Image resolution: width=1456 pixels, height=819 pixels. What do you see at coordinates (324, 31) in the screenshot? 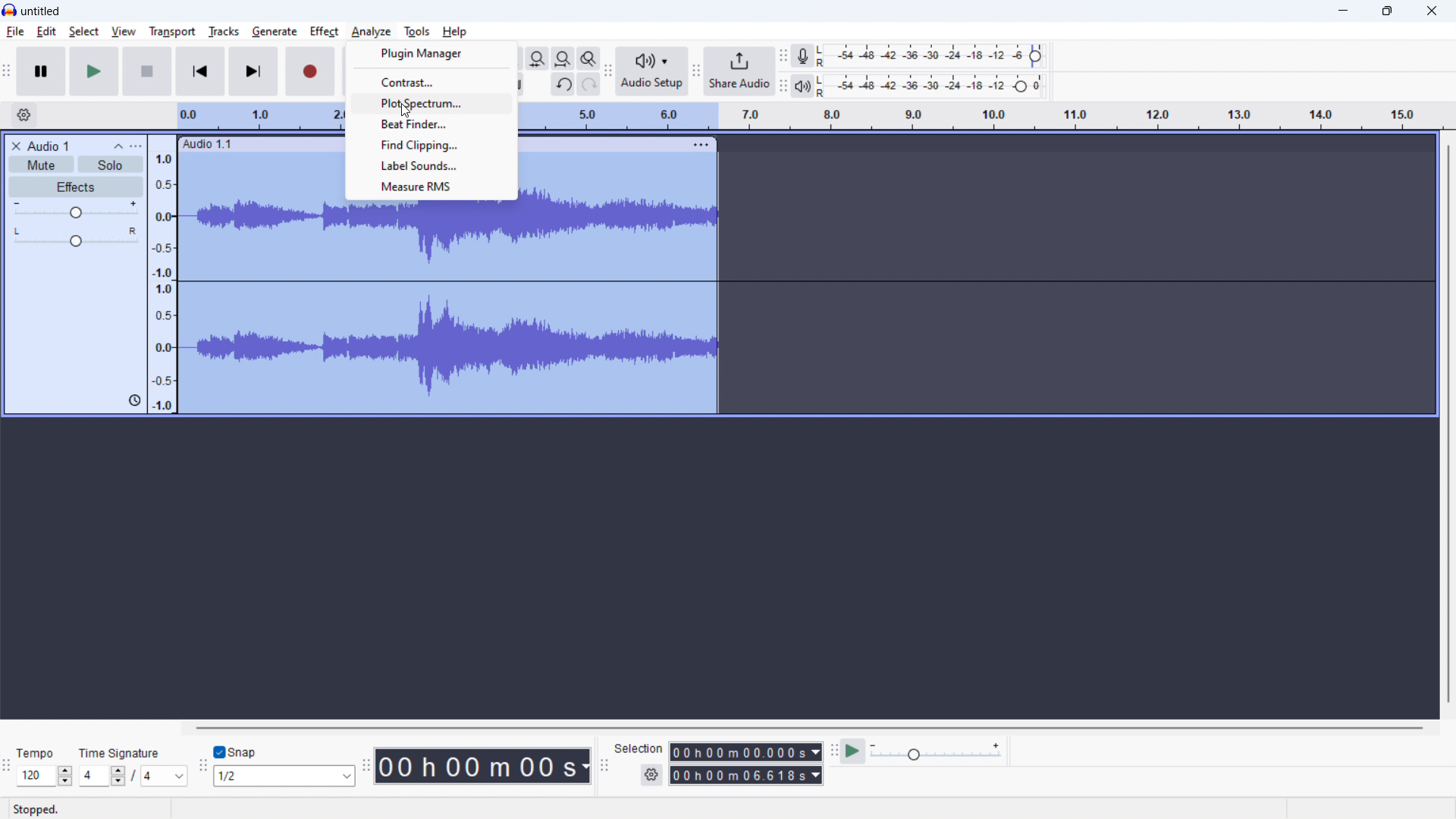
I see `effect` at bounding box center [324, 31].